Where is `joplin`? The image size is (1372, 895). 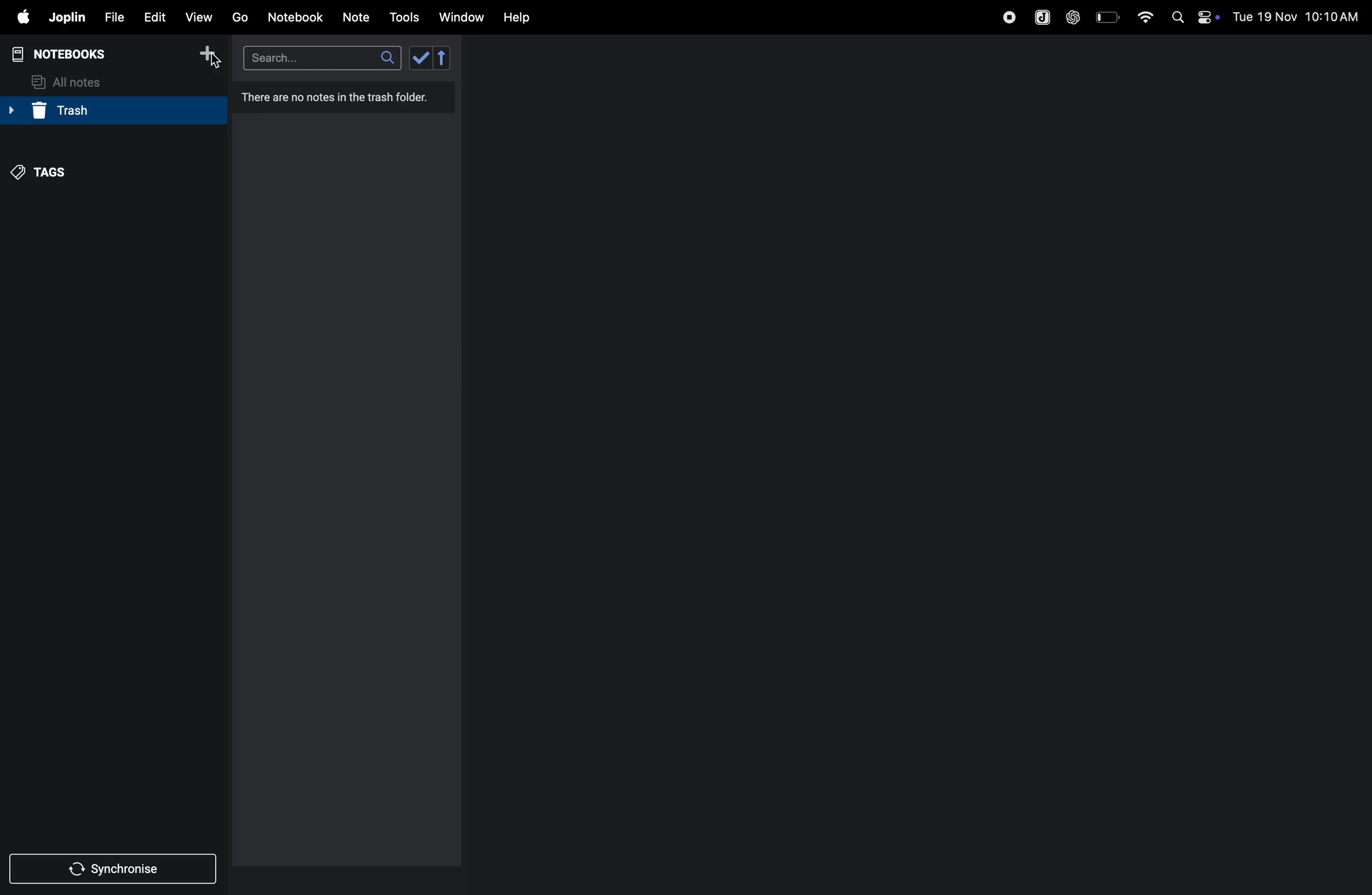
joplin is located at coordinates (68, 18).